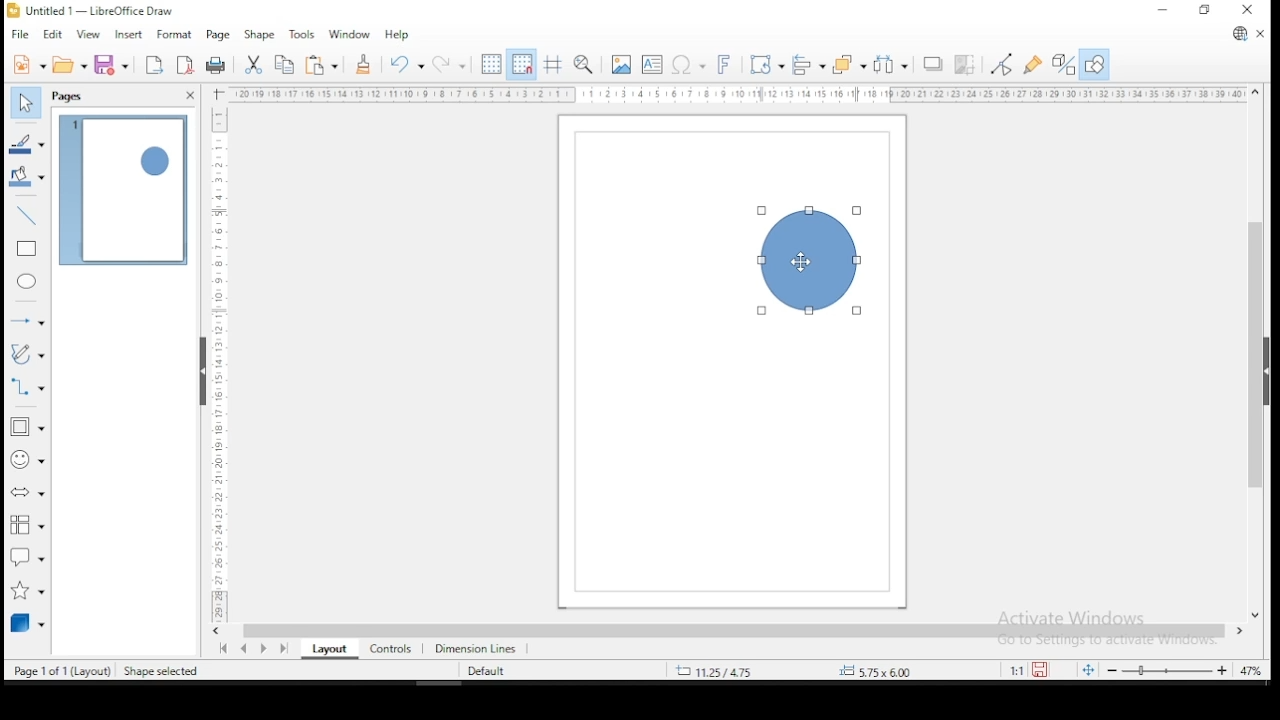 This screenshot has height=720, width=1280. What do you see at coordinates (686, 63) in the screenshot?
I see `insert special characters` at bounding box center [686, 63].